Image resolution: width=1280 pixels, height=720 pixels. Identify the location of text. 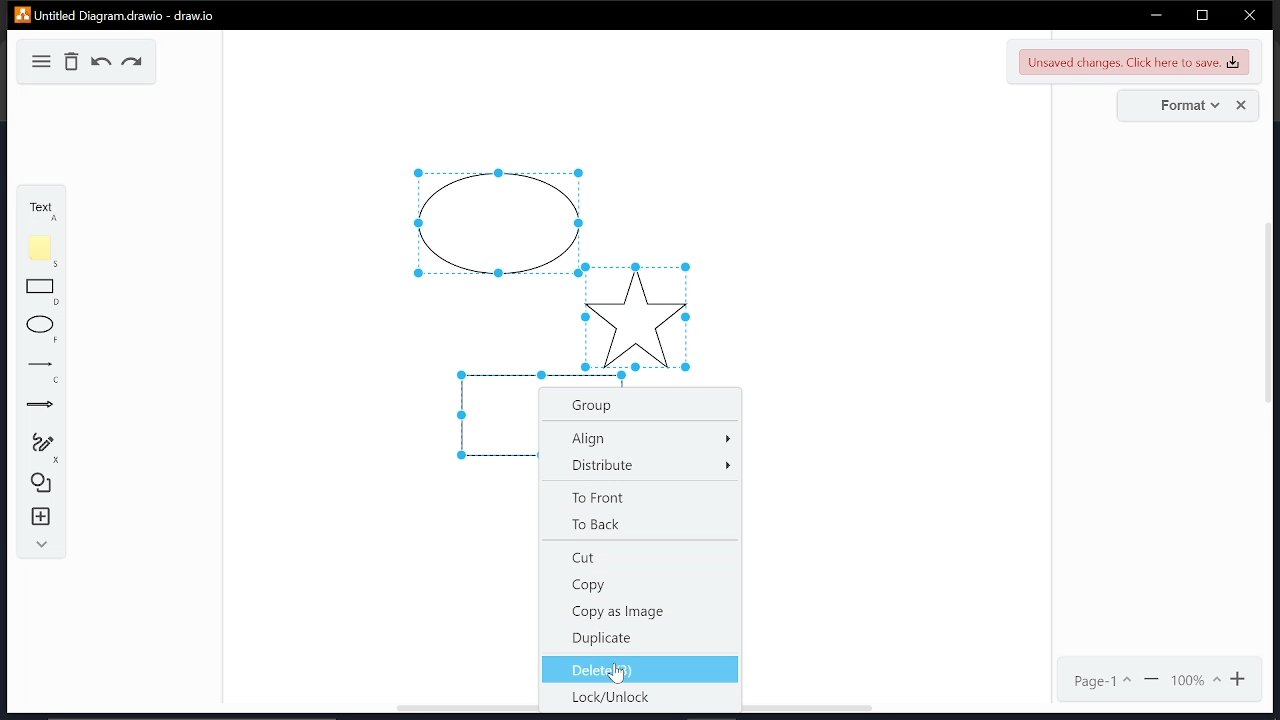
(38, 209).